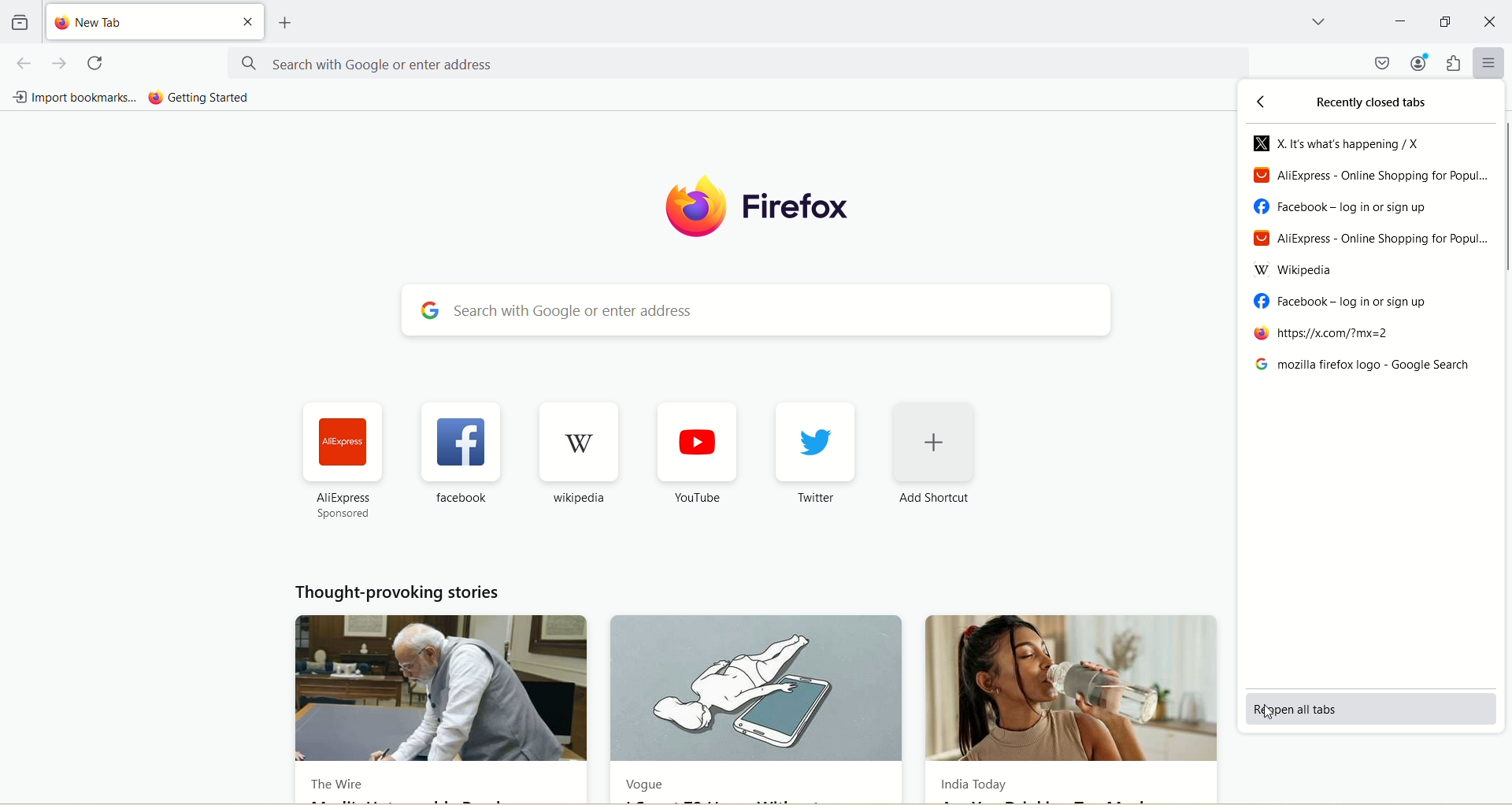 The image size is (1512, 805). What do you see at coordinates (736, 63) in the screenshot?
I see `search with google or enter address` at bounding box center [736, 63].